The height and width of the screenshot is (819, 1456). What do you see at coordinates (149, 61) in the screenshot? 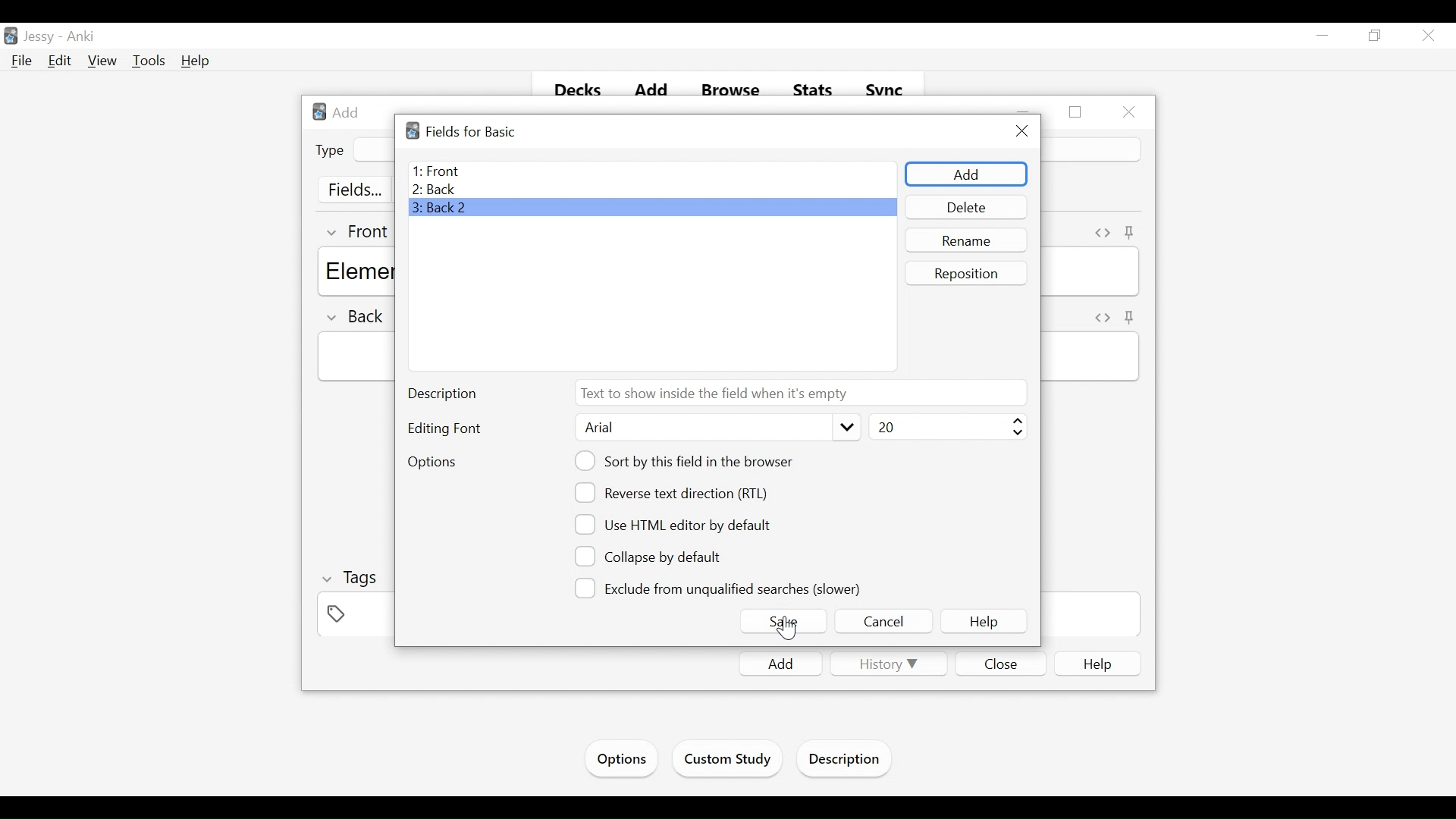
I see `Tools` at bounding box center [149, 61].